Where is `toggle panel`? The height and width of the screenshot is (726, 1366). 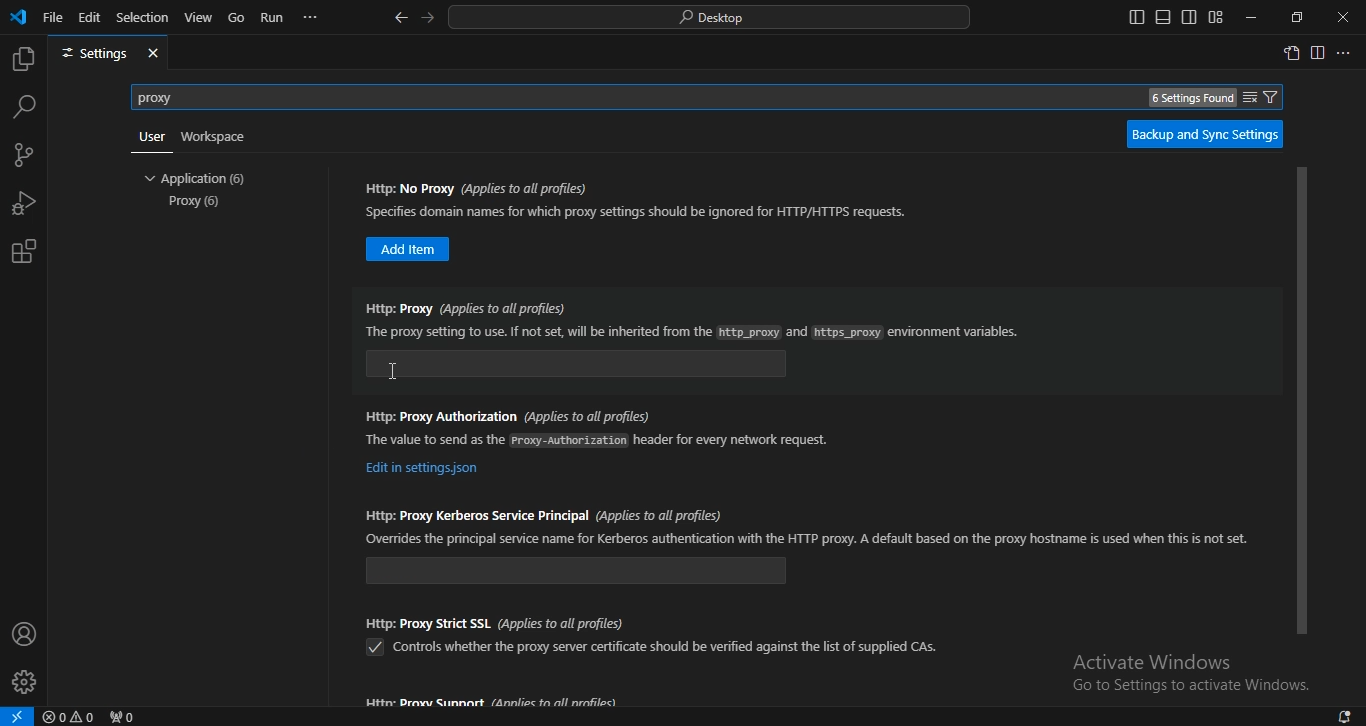 toggle panel is located at coordinates (1161, 16).